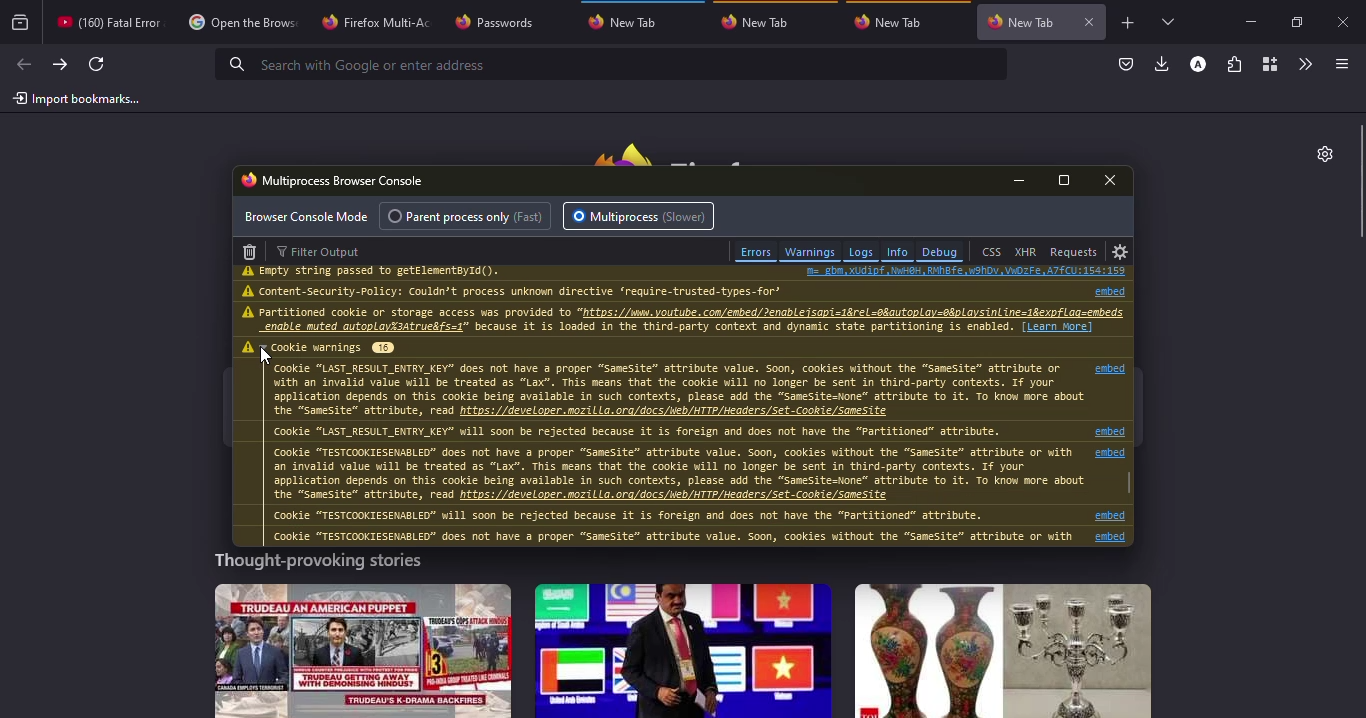 This screenshot has width=1366, height=718. Describe the element at coordinates (1023, 180) in the screenshot. I see `minimize` at that location.